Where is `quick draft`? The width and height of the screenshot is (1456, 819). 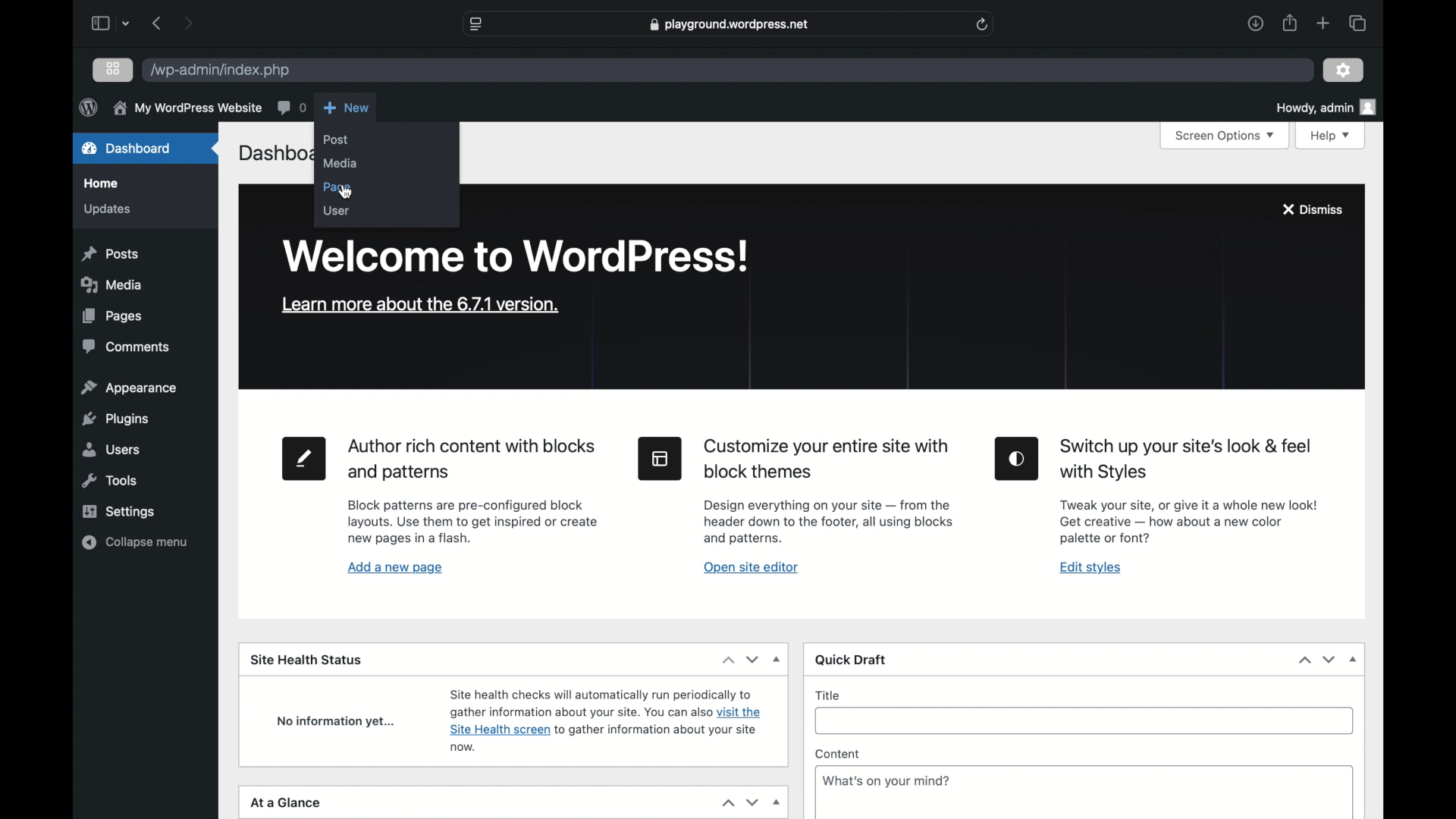
quick draft is located at coordinates (851, 661).